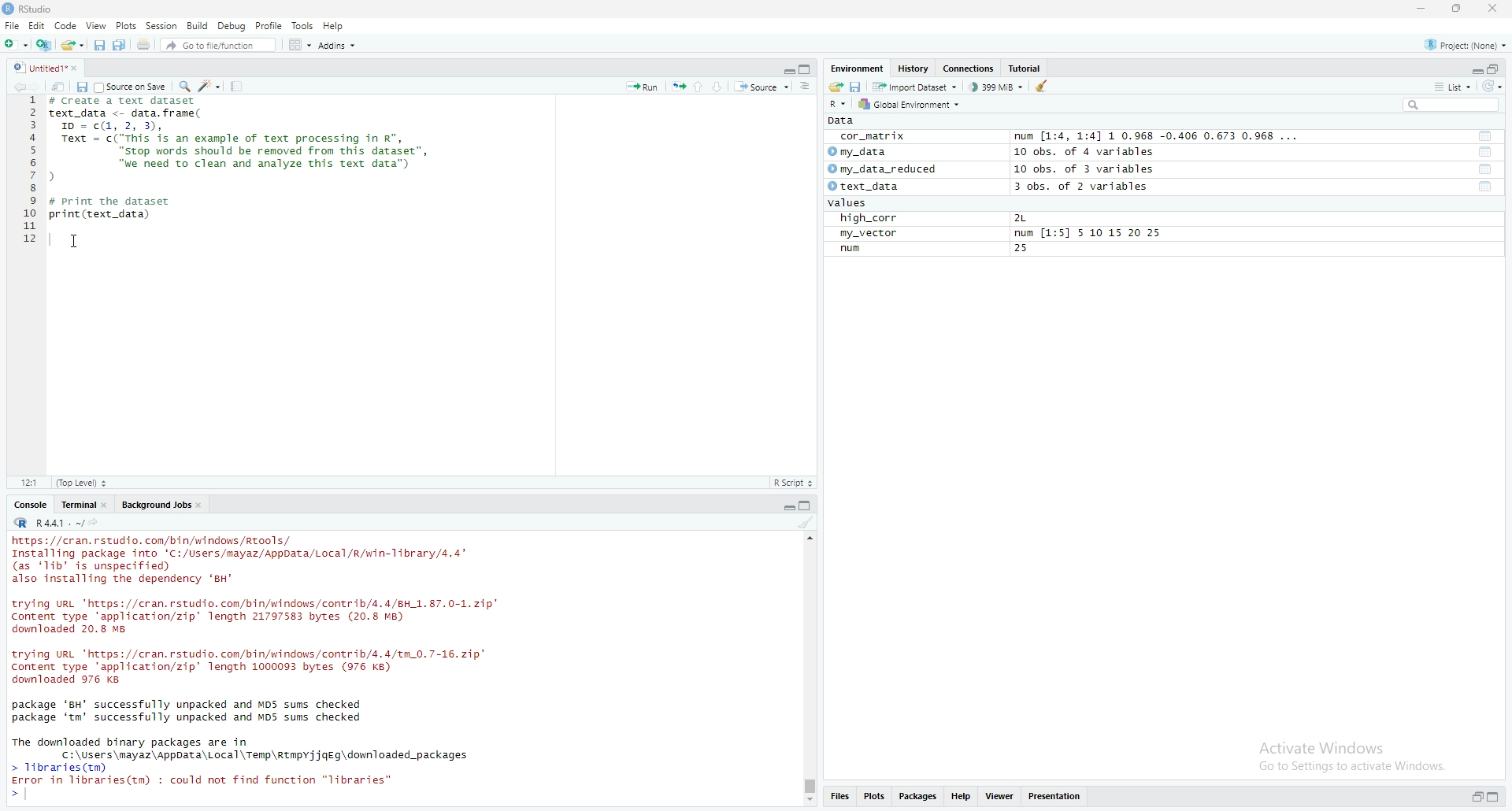 This screenshot has width=1512, height=811. Describe the element at coordinates (872, 136) in the screenshot. I see `cor_matrix` at that location.